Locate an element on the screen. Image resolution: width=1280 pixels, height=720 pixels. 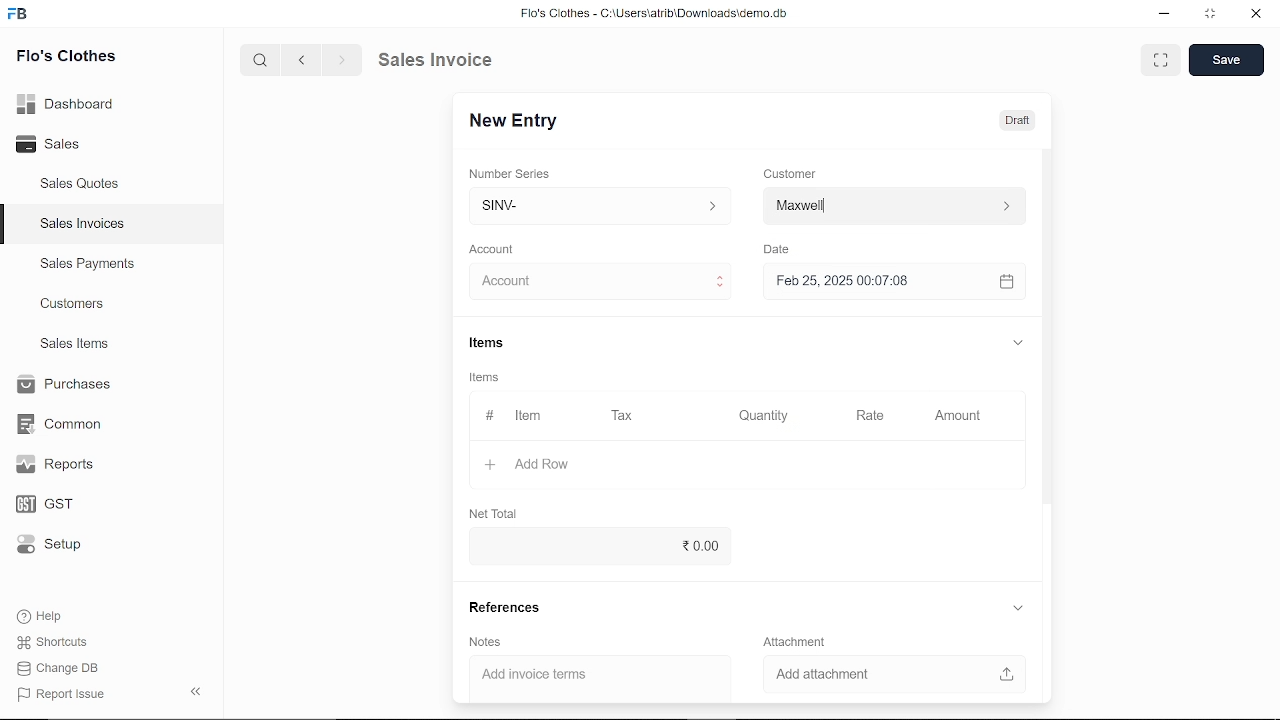
Shortcuts is located at coordinates (54, 642).